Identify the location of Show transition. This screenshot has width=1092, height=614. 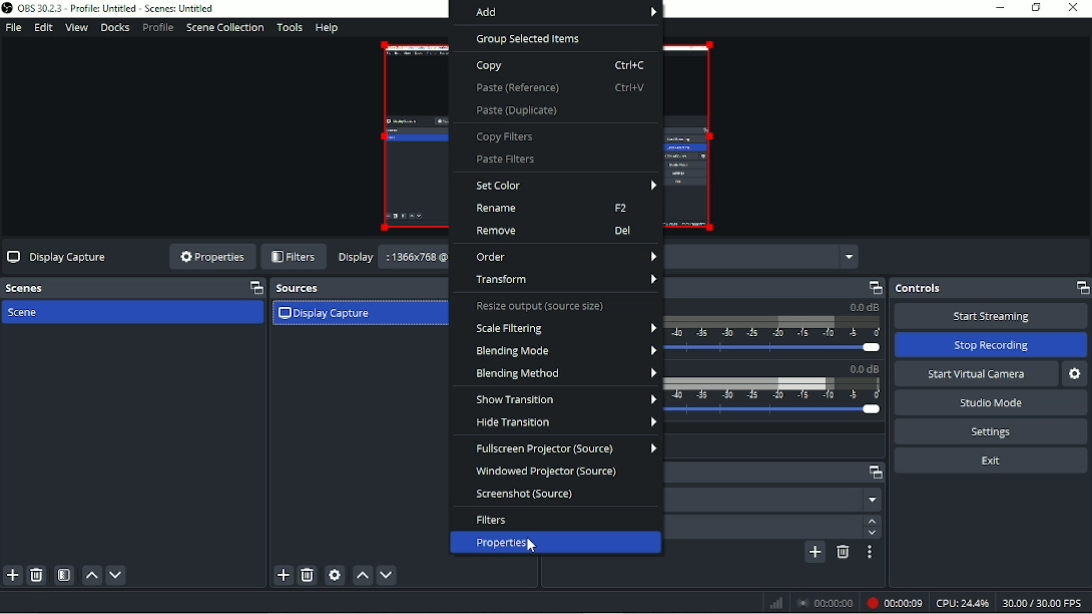
(563, 399).